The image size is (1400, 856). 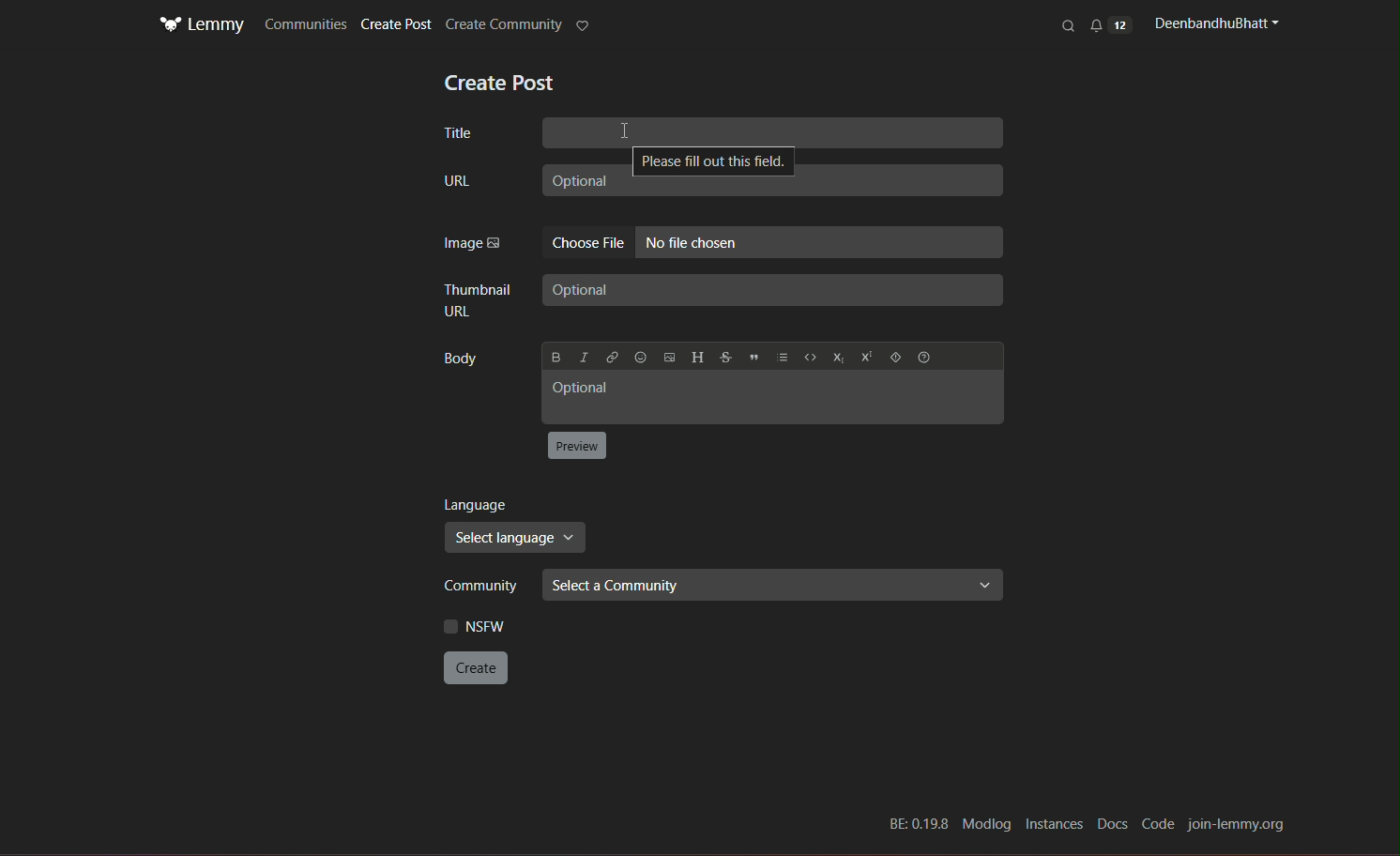 I want to click on BE: 0.19.8, so click(x=917, y=825).